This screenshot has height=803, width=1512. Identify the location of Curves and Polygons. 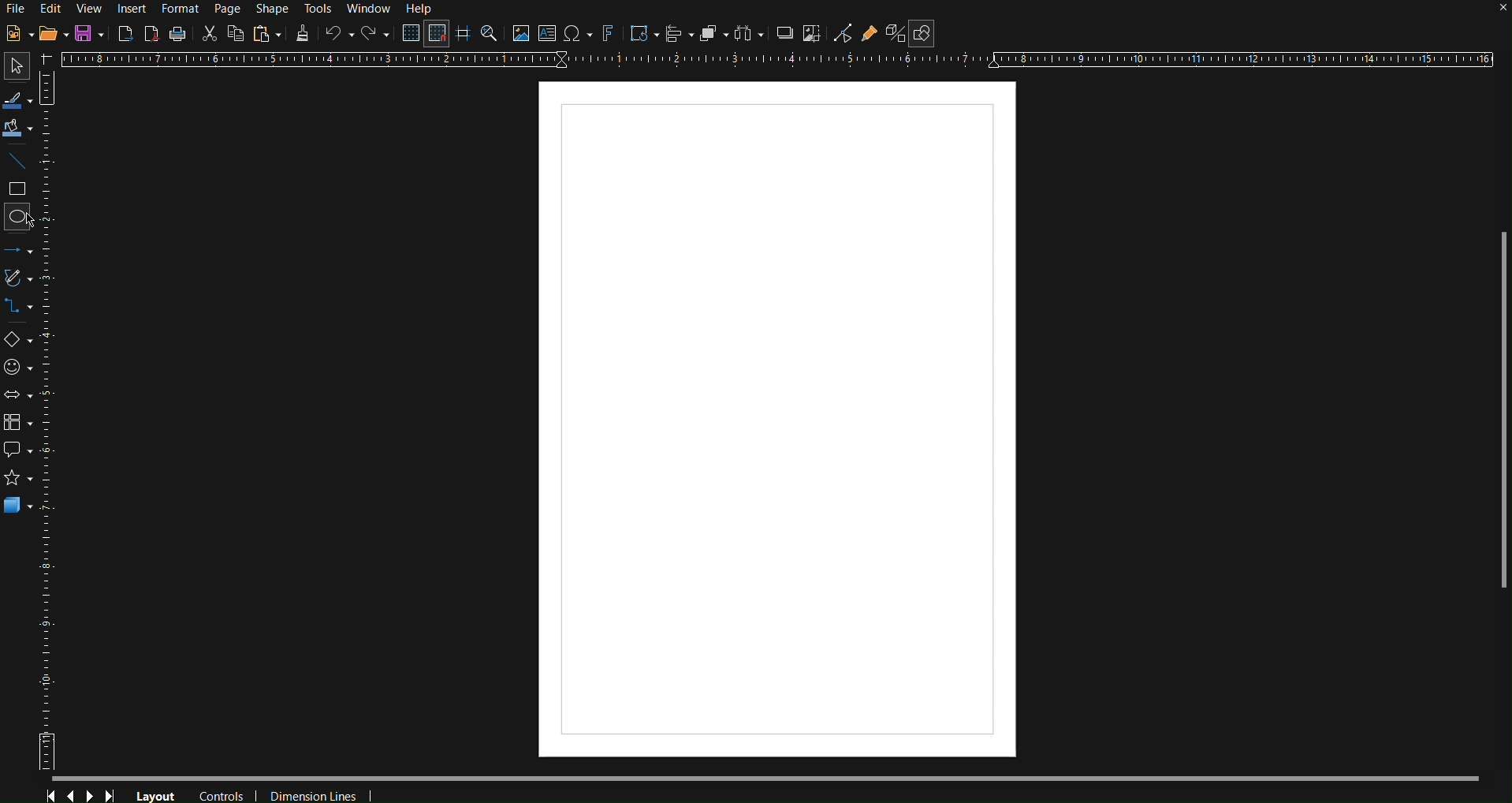
(22, 280).